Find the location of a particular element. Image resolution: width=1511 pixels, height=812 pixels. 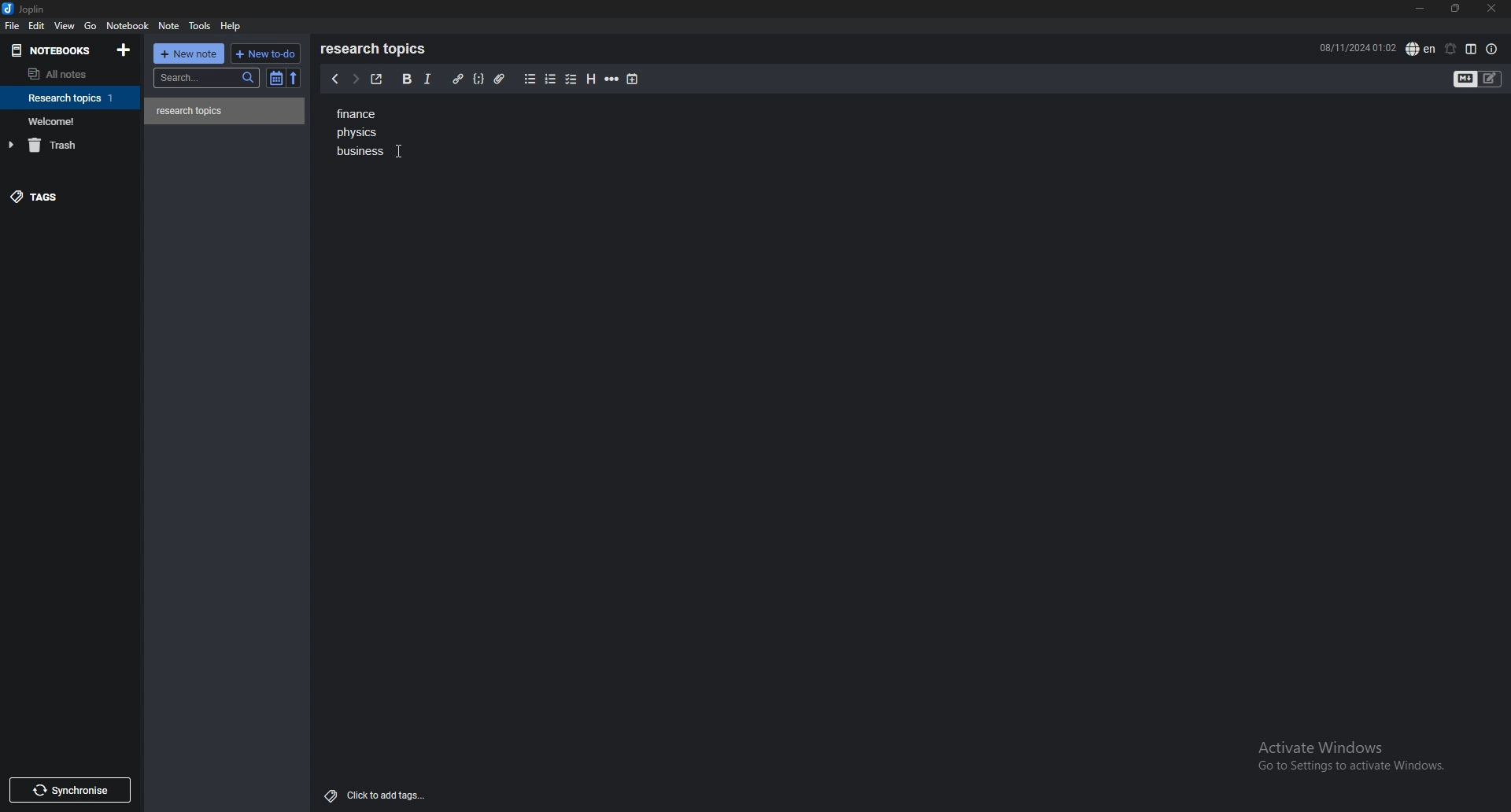

all notes is located at coordinates (65, 75).